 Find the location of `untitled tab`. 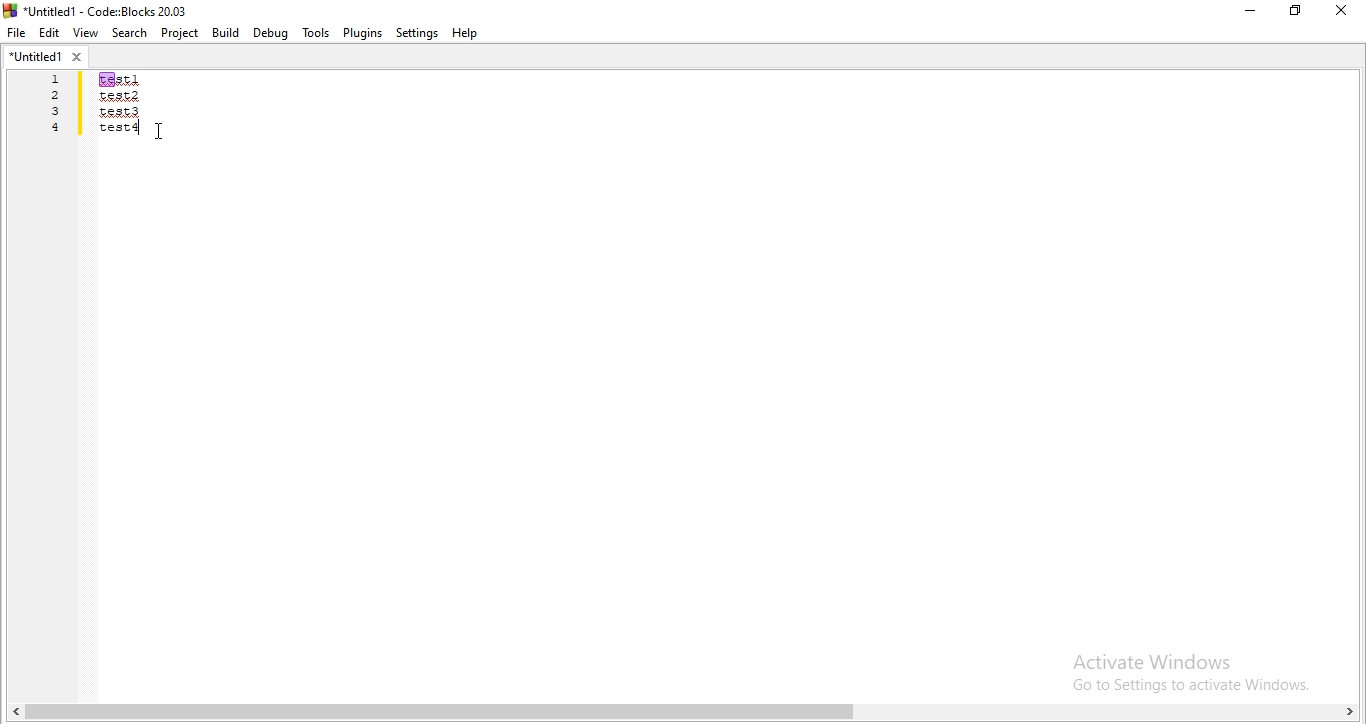

untitled tab is located at coordinates (42, 58).